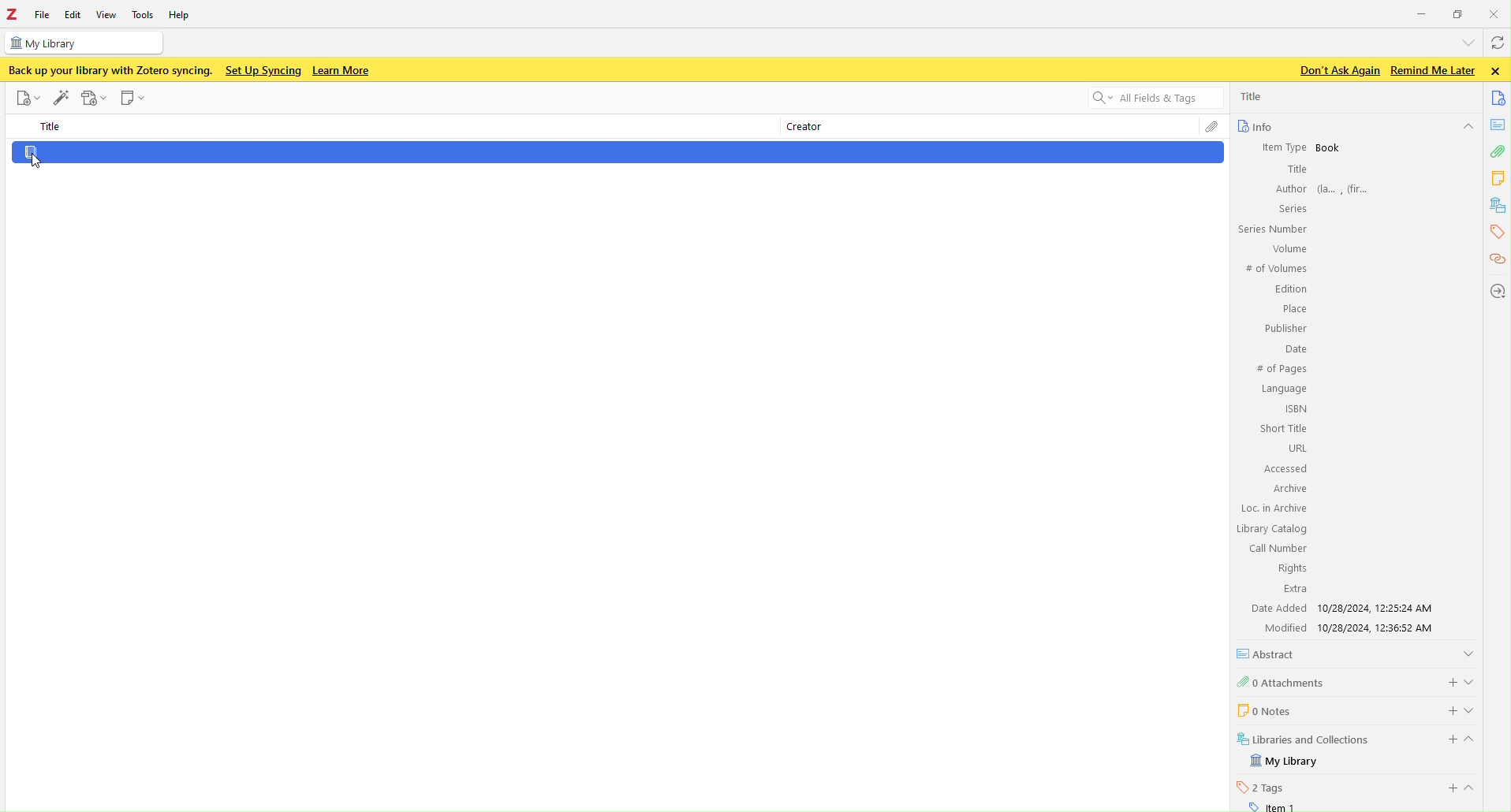 This screenshot has height=812, width=1511. Describe the element at coordinates (104, 13) in the screenshot. I see `view` at that location.